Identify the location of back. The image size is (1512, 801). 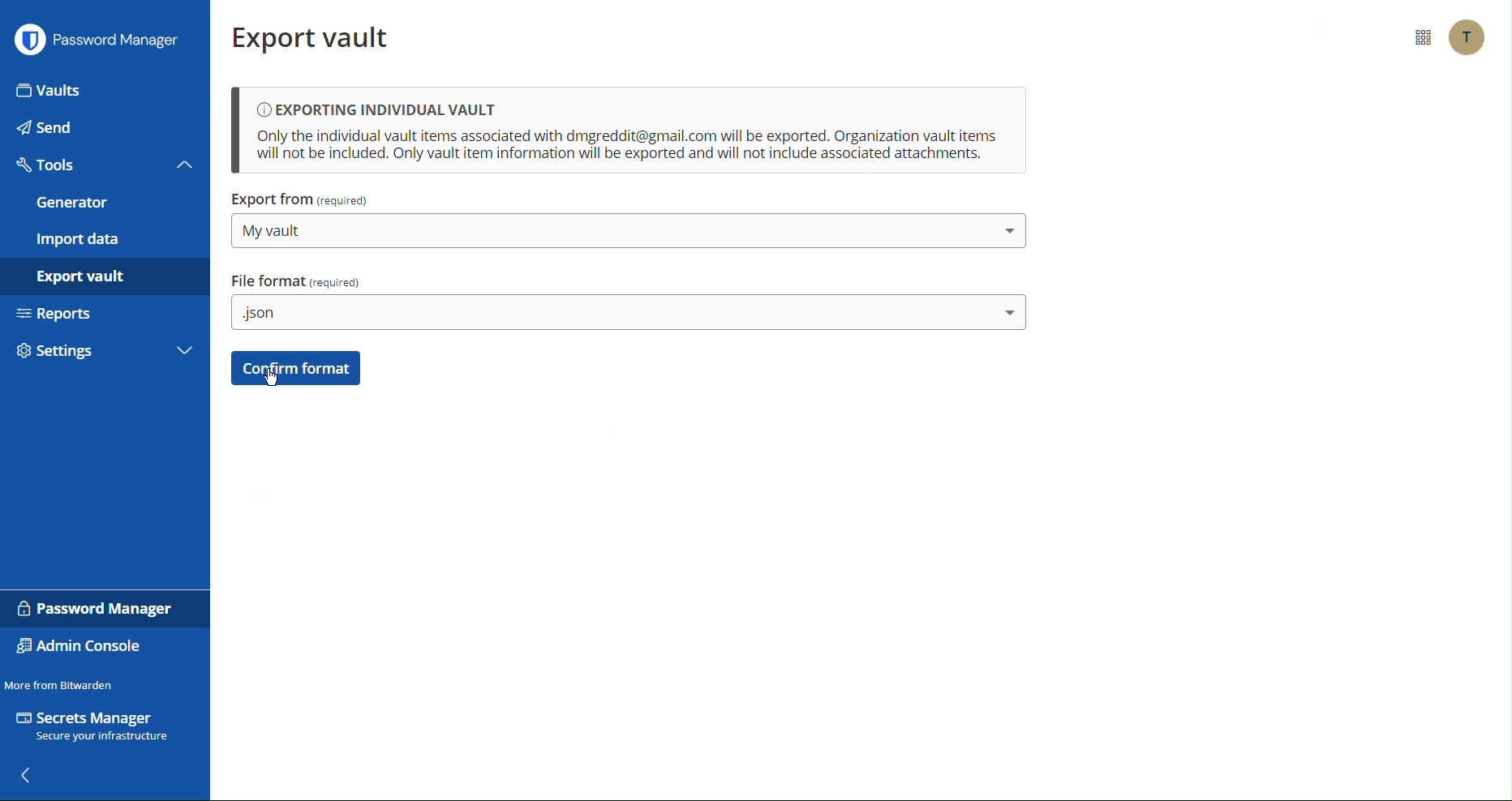
(29, 778).